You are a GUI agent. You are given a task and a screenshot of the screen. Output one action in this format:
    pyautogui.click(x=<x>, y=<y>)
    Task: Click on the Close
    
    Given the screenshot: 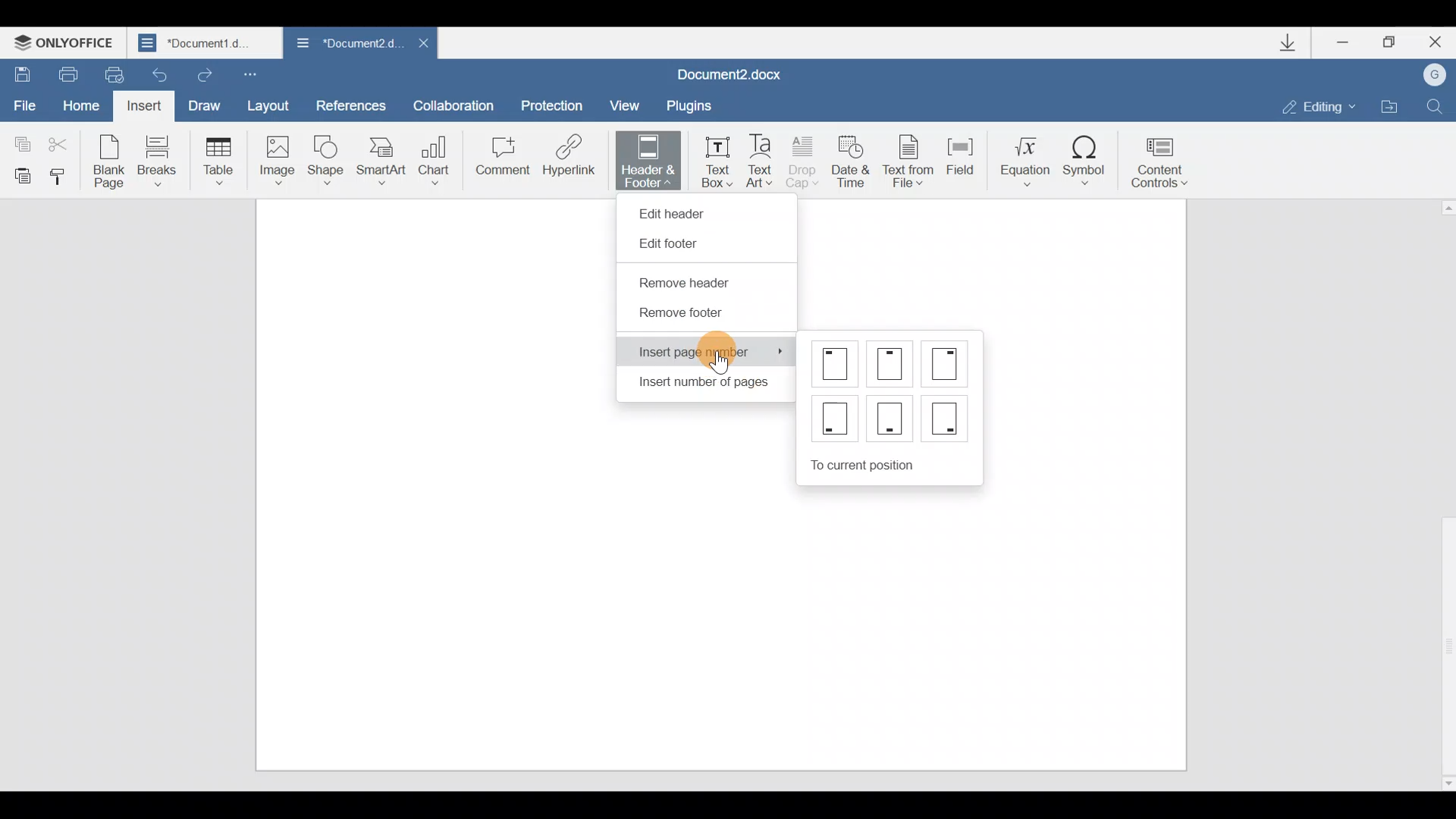 What is the action you would take?
    pyautogui.click(x=419, y=42)
    